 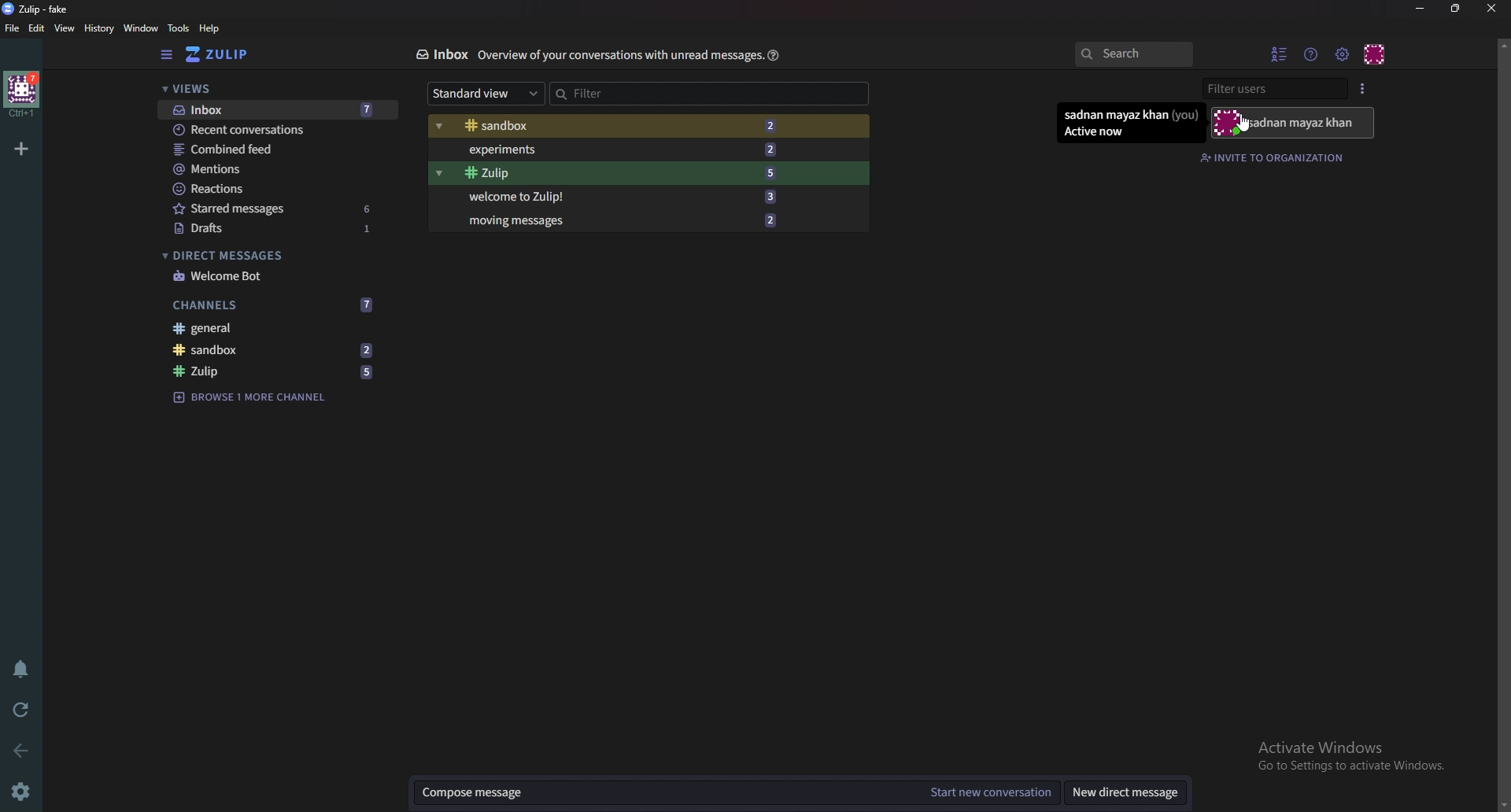 I want to click on user, so click(x=1291, y=123).